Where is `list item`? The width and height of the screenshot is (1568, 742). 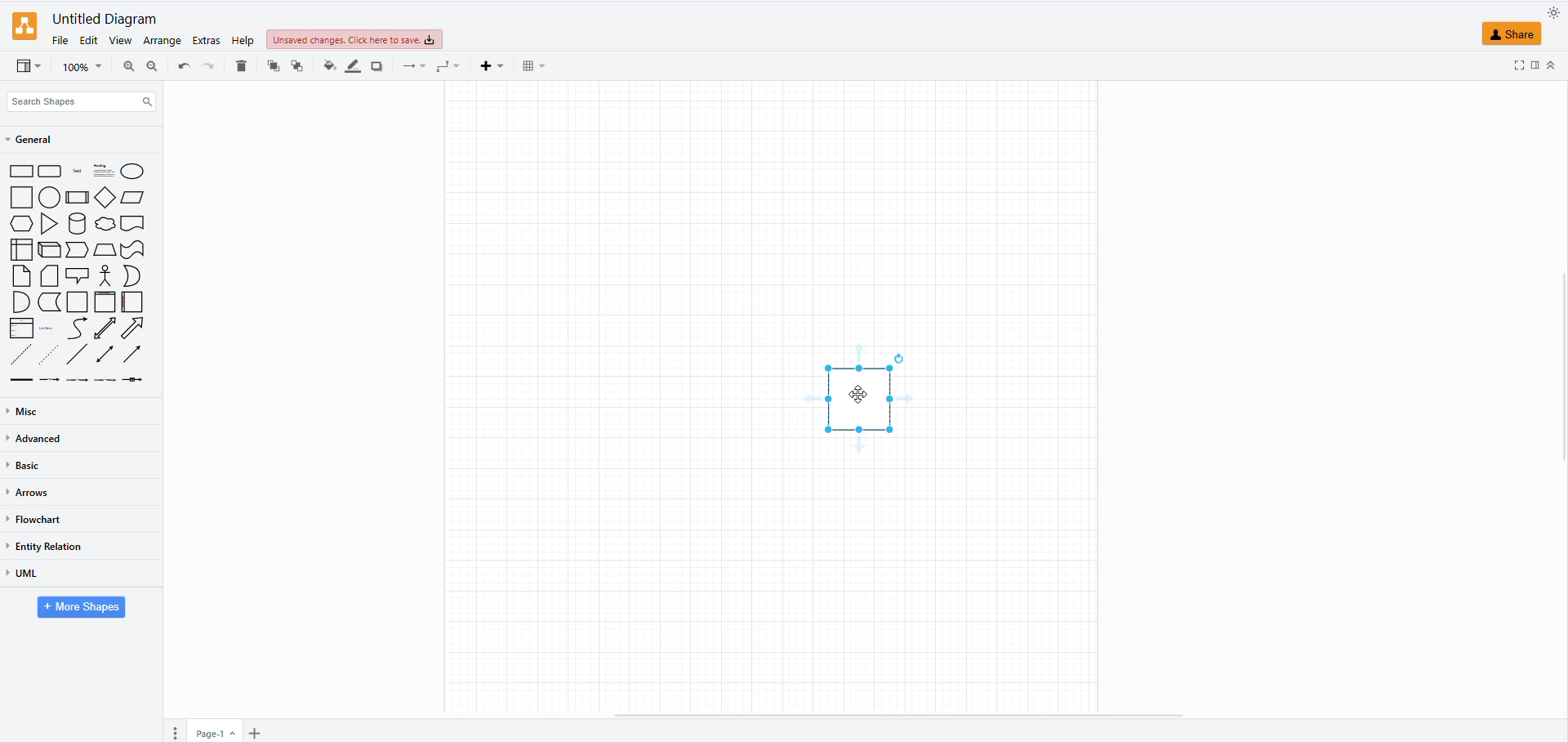
list item is located at coordinates (49, 328).